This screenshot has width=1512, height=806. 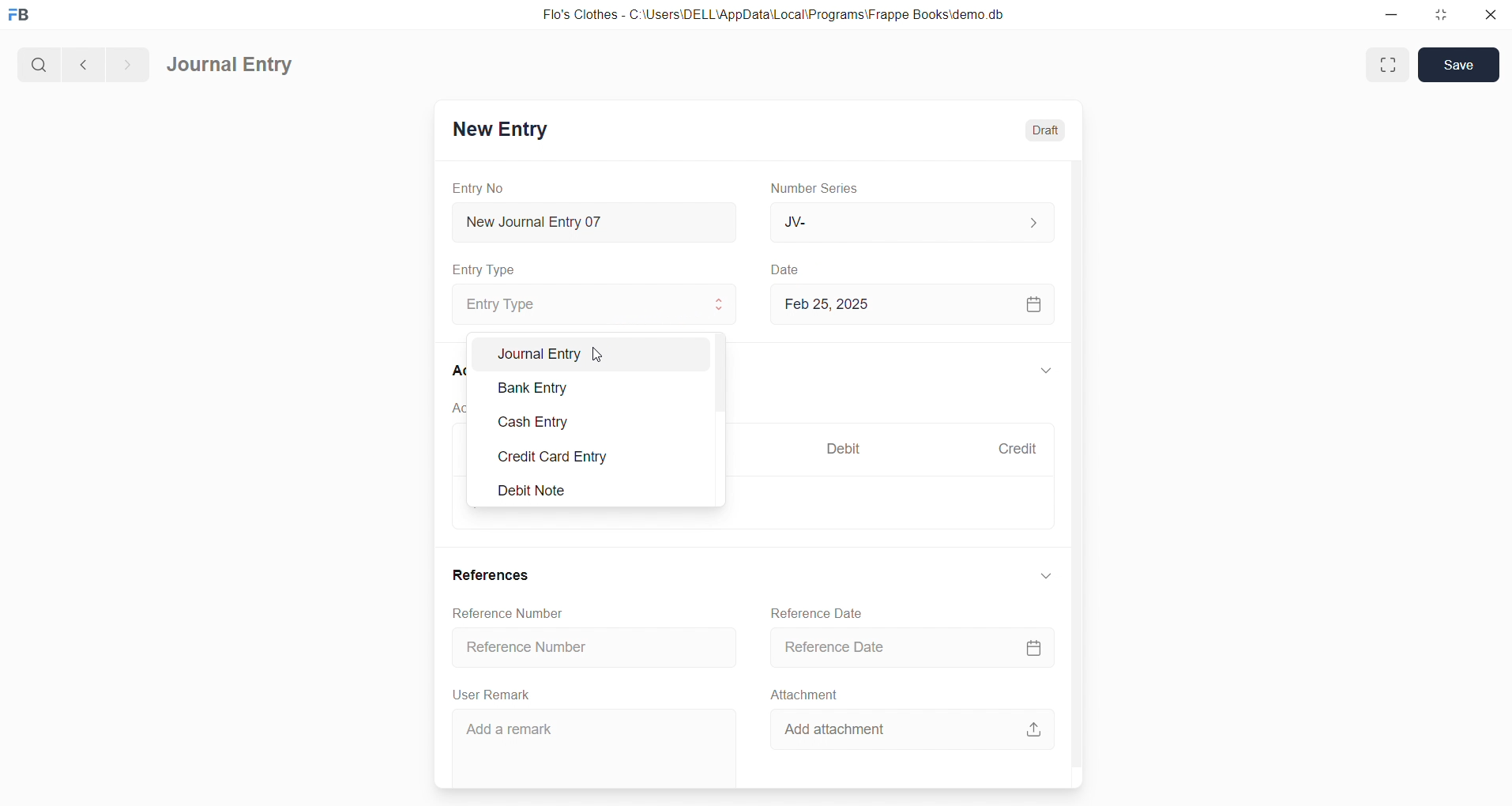 I want to click on Accounts, so click(x=454, y=372).